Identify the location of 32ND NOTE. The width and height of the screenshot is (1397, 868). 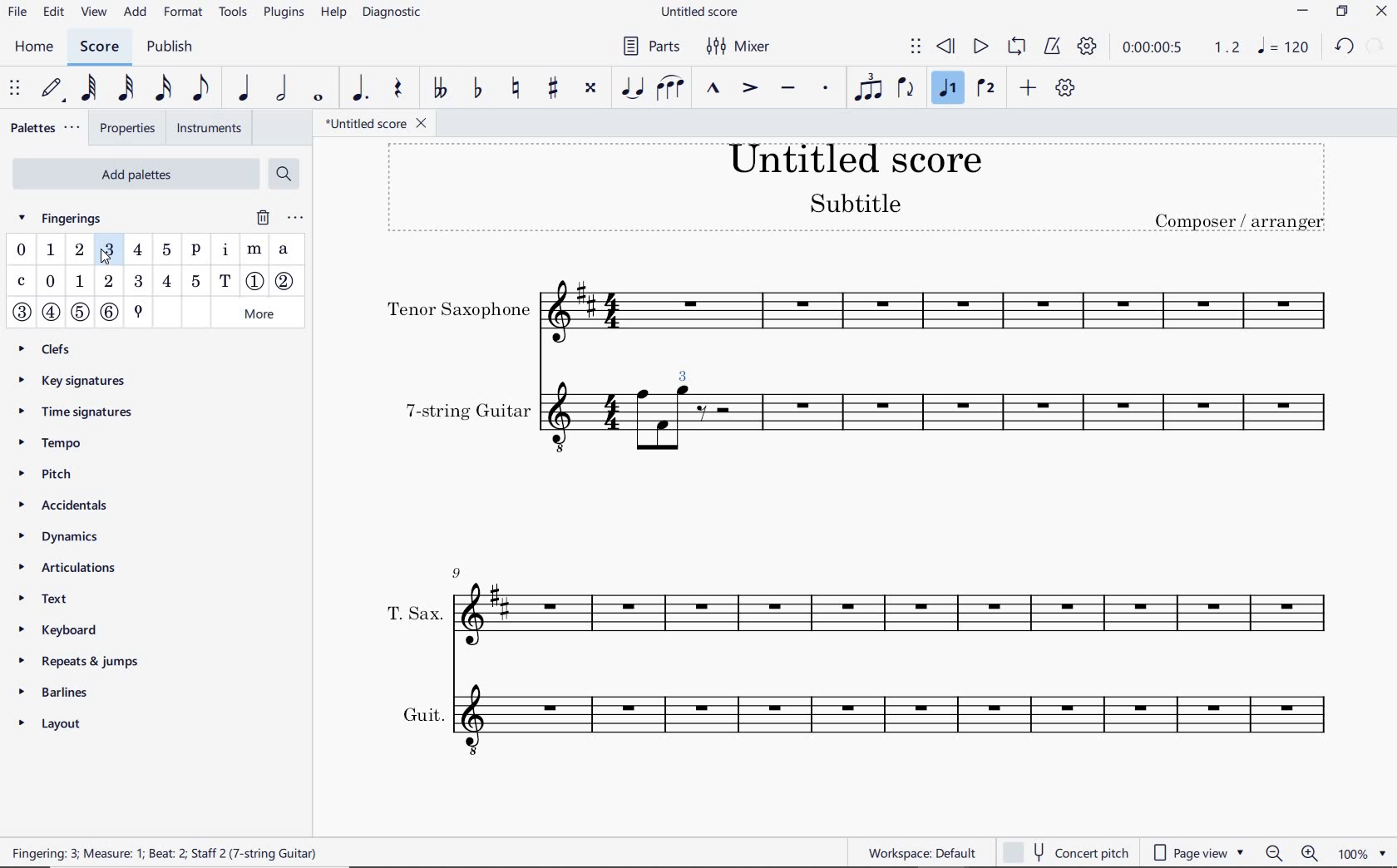
(124, 89).